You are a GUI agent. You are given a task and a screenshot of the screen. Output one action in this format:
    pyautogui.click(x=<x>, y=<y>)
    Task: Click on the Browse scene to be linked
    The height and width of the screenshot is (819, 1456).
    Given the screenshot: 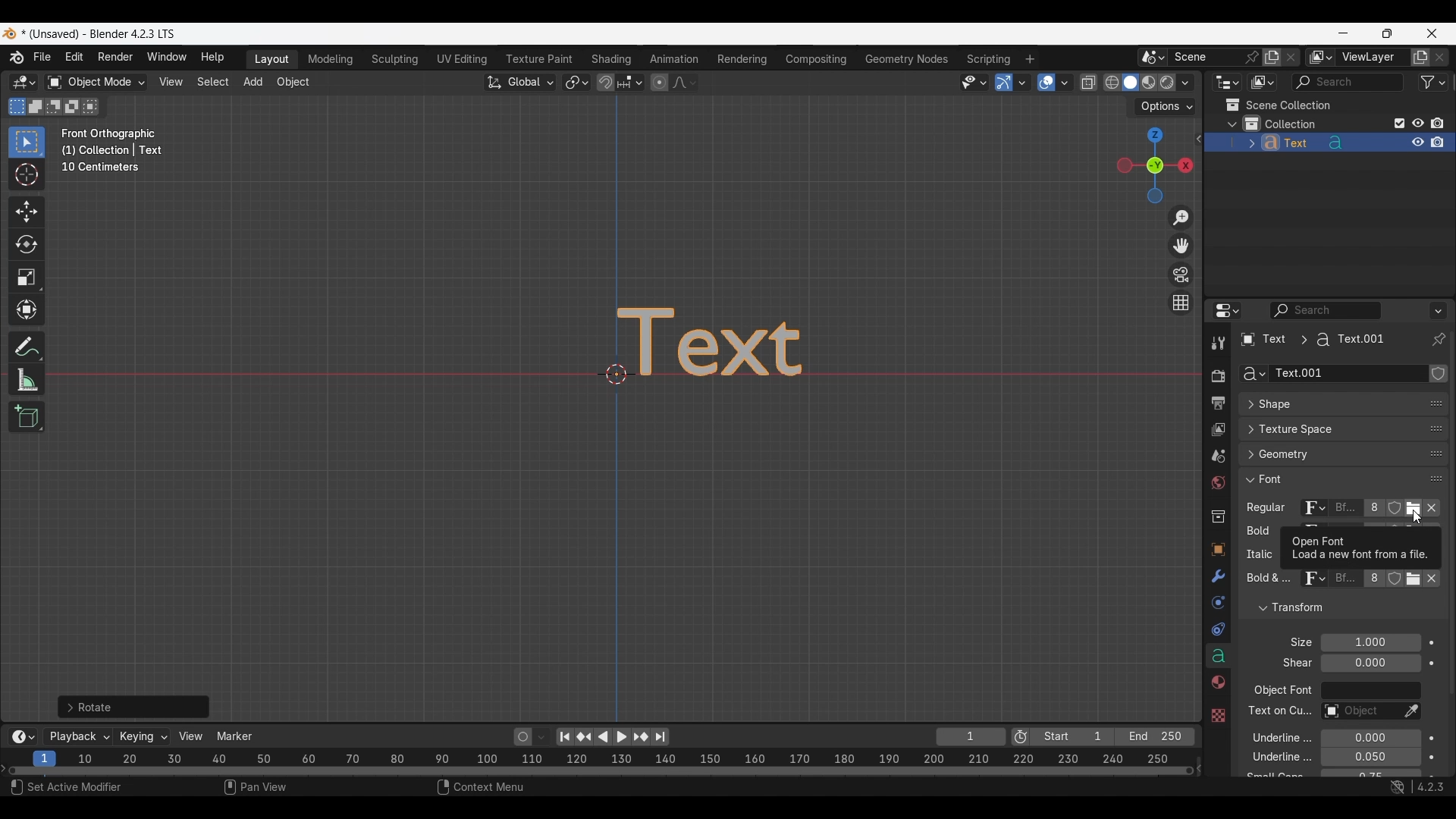 What is the action you would take?
    pyautogui.click(x=1153, y=58)
    